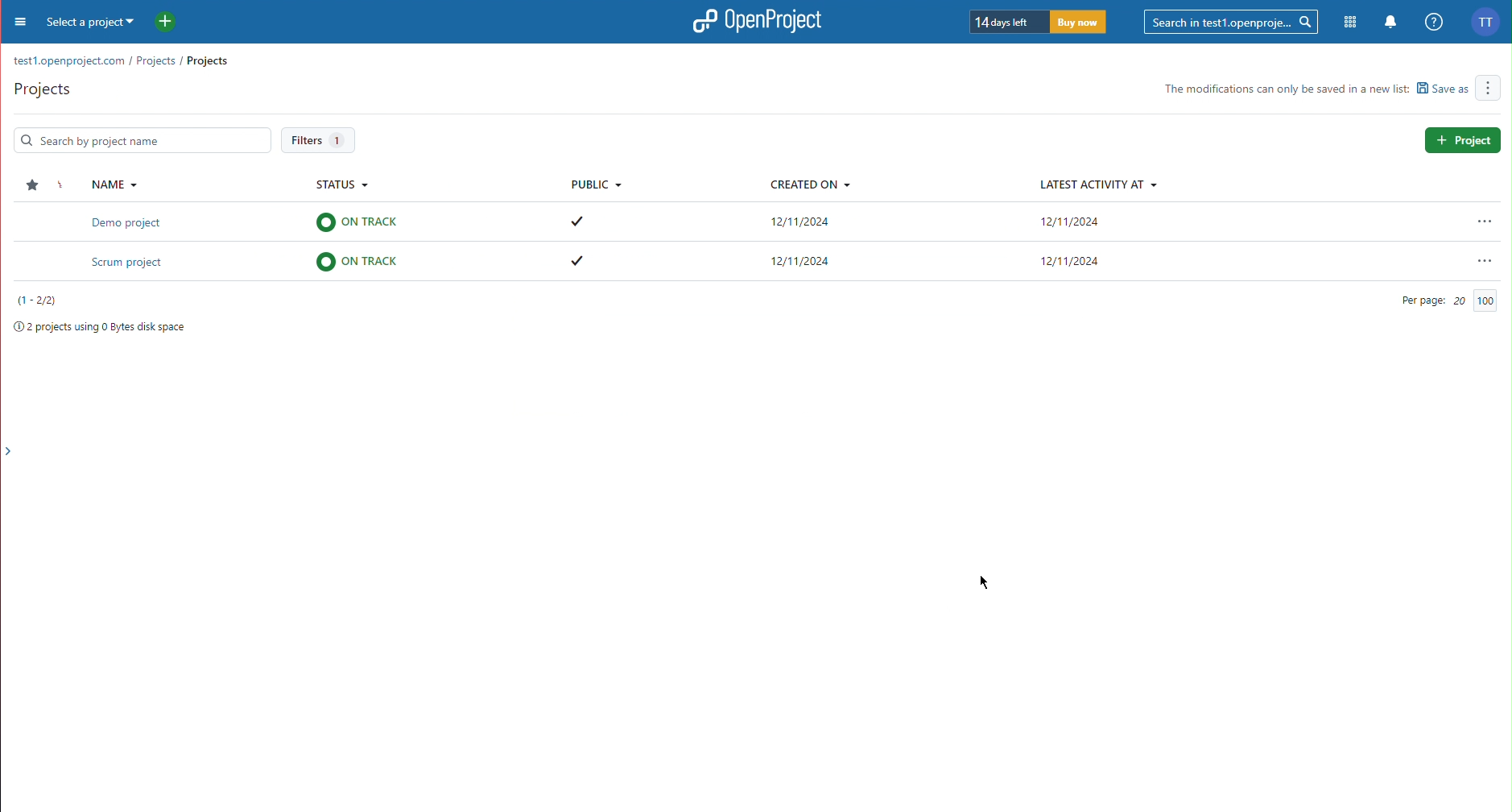 This screenshot has height=812, width=1512. Describe the element at coordinates (1318, 85) in the screenshot. I see `` at that location.